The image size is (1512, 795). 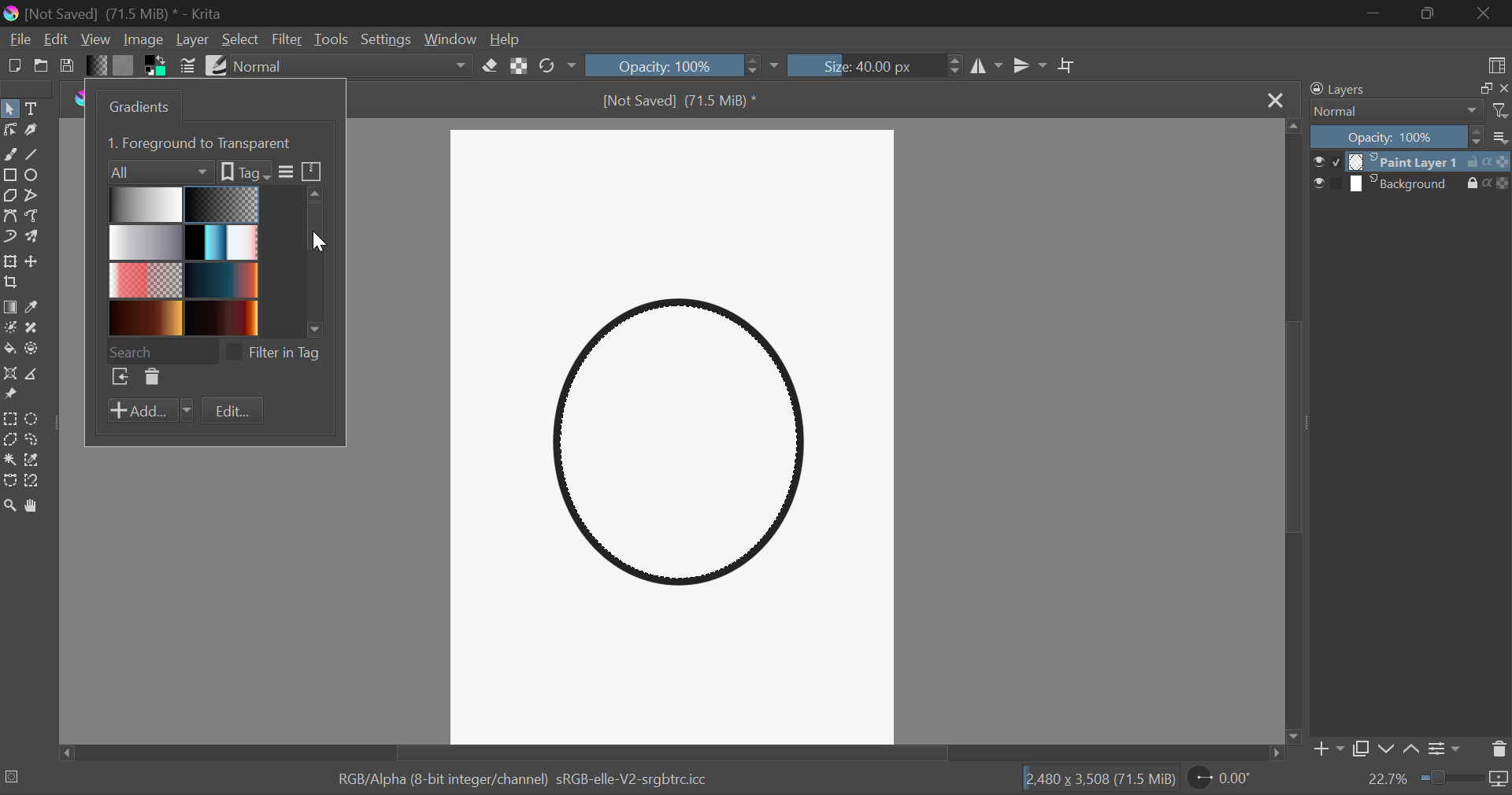 I want to click on icon, so click(x=1501, y=782).